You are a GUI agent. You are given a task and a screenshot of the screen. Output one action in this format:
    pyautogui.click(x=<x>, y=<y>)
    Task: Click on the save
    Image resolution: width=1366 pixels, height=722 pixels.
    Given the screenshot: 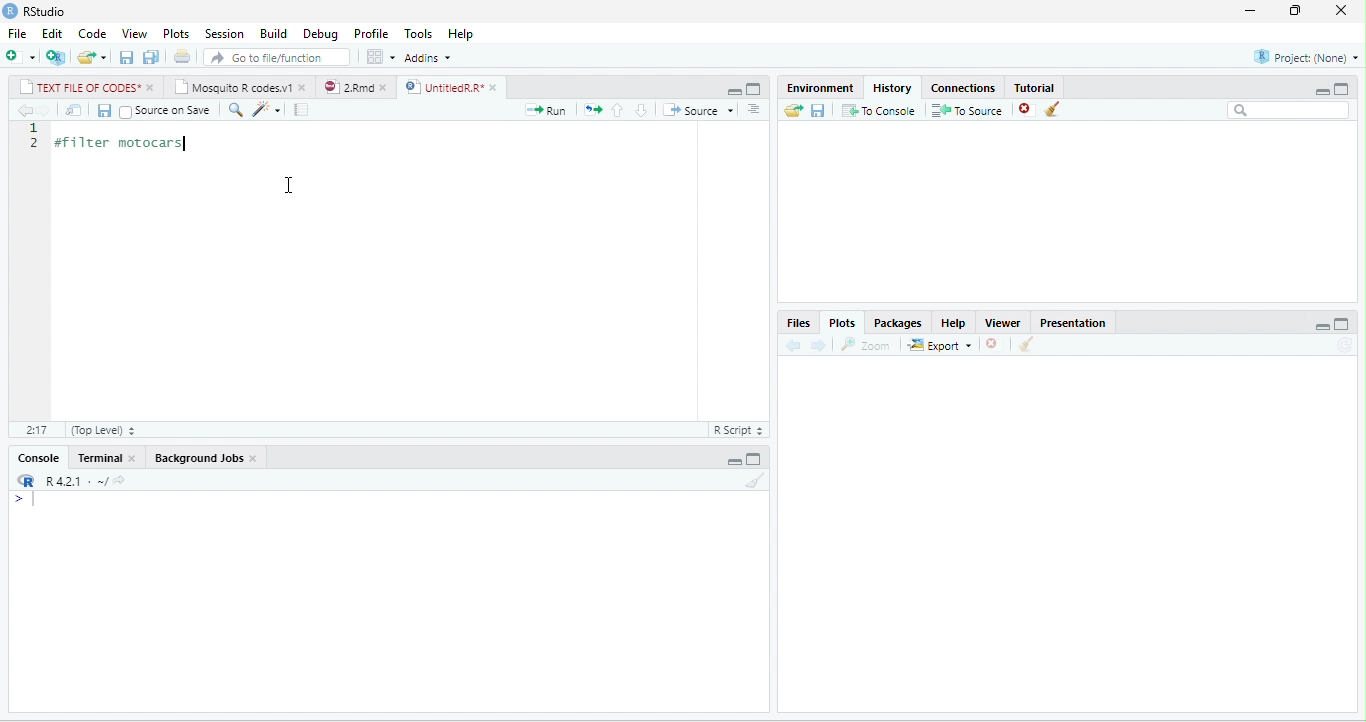 What is the action you would take?
    pyautogui.click(x=126, y=58)
    